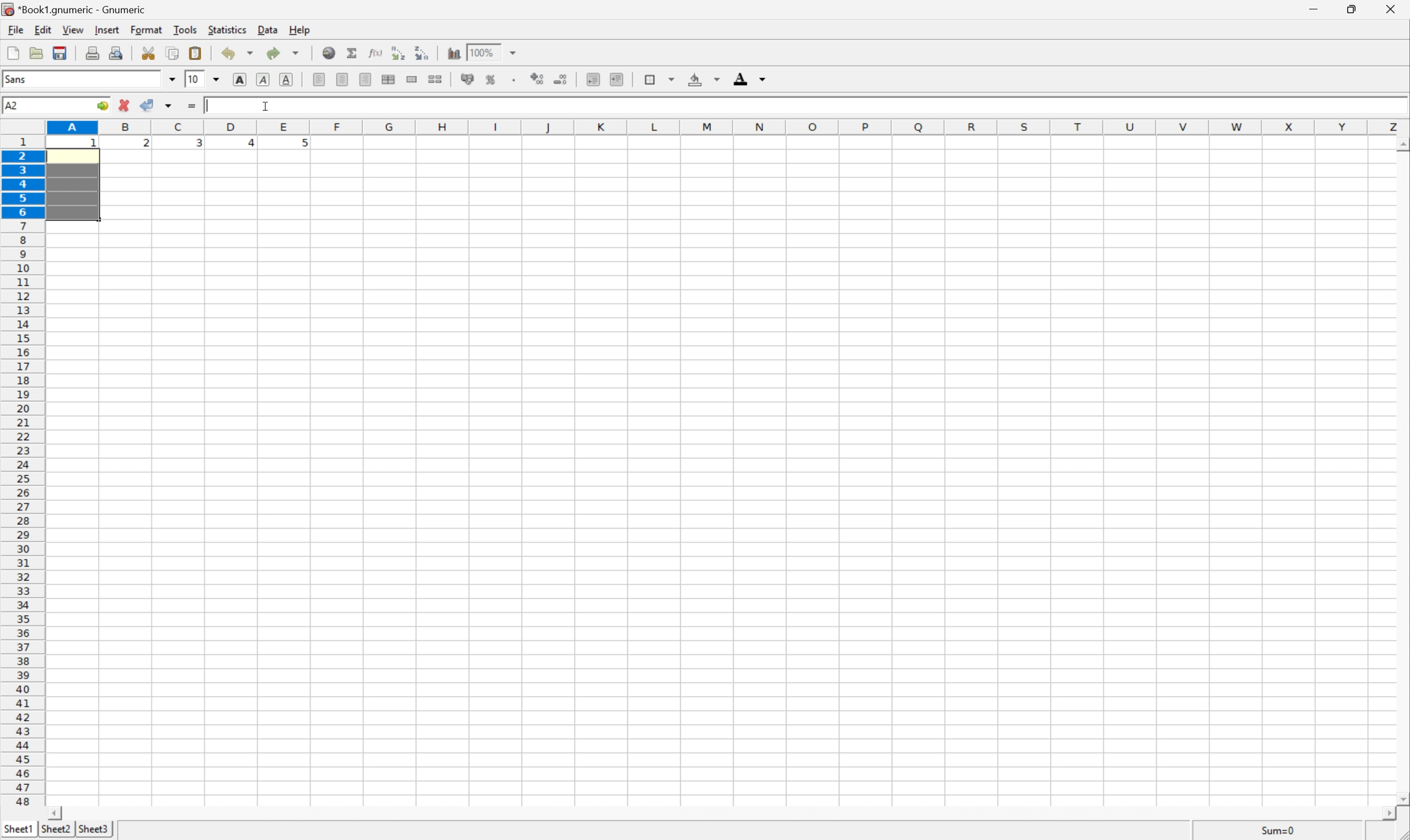 Image resolution: width=1410 pixels, height=840 pixels. Describe the element at coordinates (344, 78) in the screenshot. I see `center horizontally` at that location.